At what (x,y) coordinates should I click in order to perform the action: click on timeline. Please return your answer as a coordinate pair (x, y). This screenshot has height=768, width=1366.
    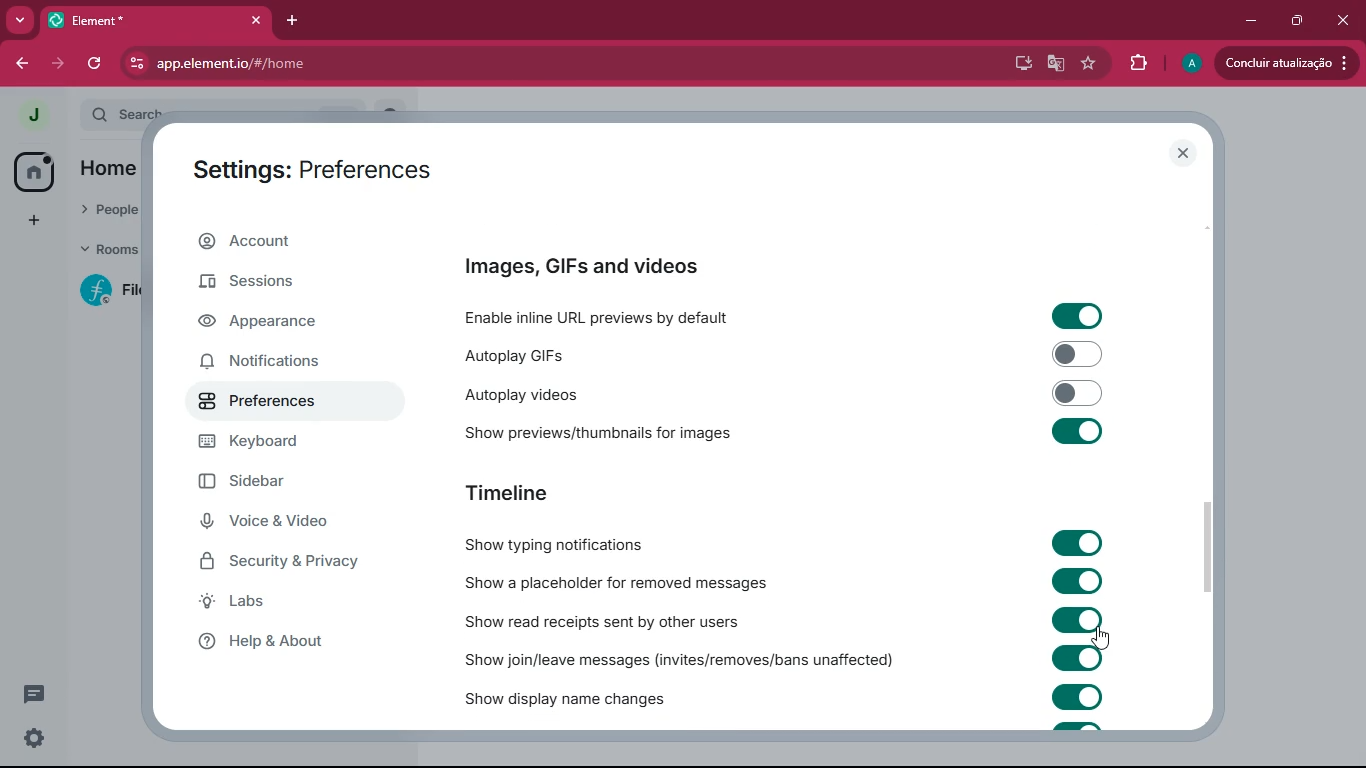
    Looking at the image, I should click on (510, 490).